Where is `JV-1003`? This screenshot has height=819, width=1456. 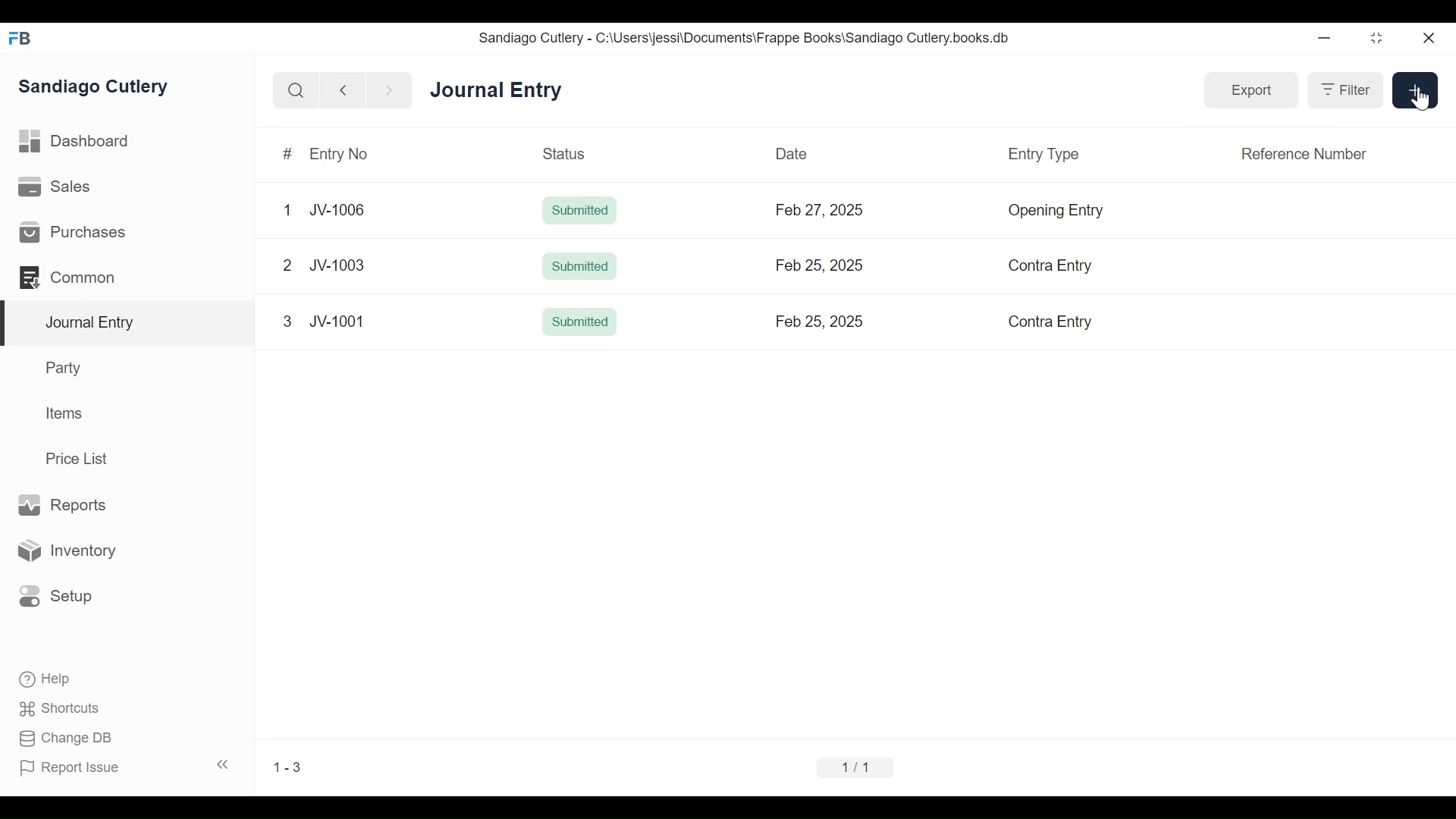 JV-1003 is located at coordinates (337, 265).